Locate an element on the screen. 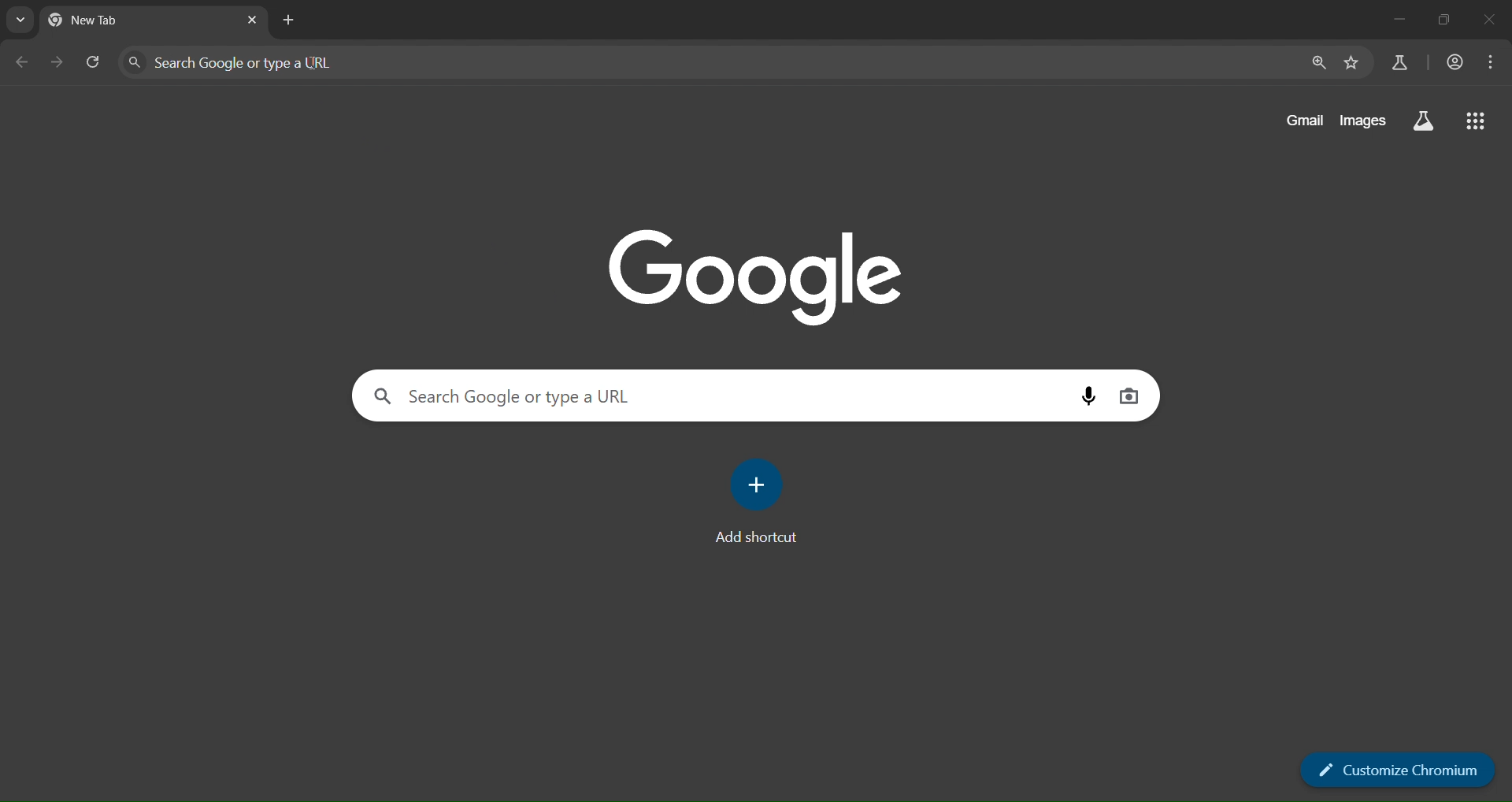  go back one page is located at coordinates (21, 66).